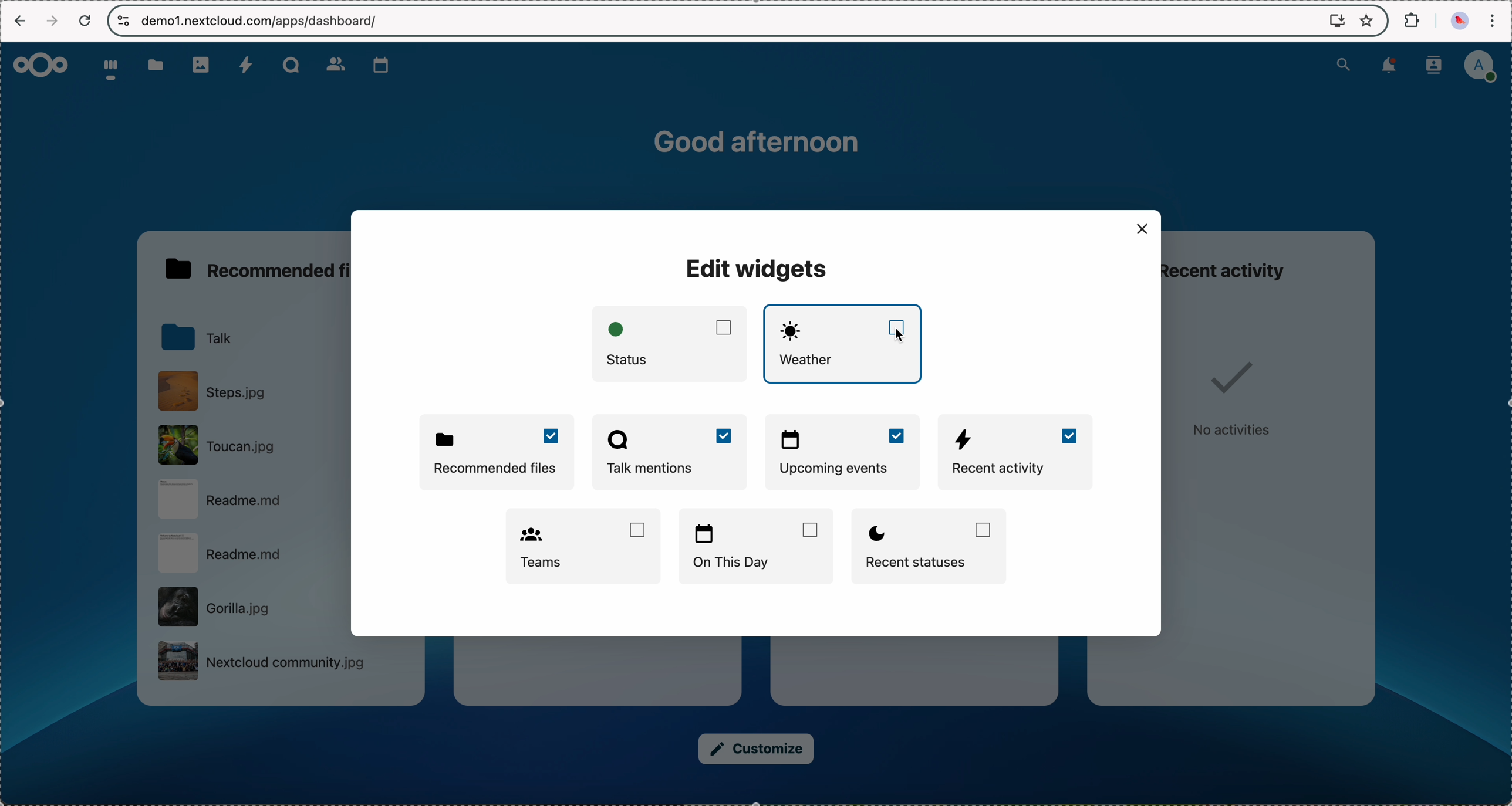 This screenshot has width=1512, height=806. What do you see at coordinates (214, 391) in the screenshot?
I see `file` at bounding box center [214, 391].